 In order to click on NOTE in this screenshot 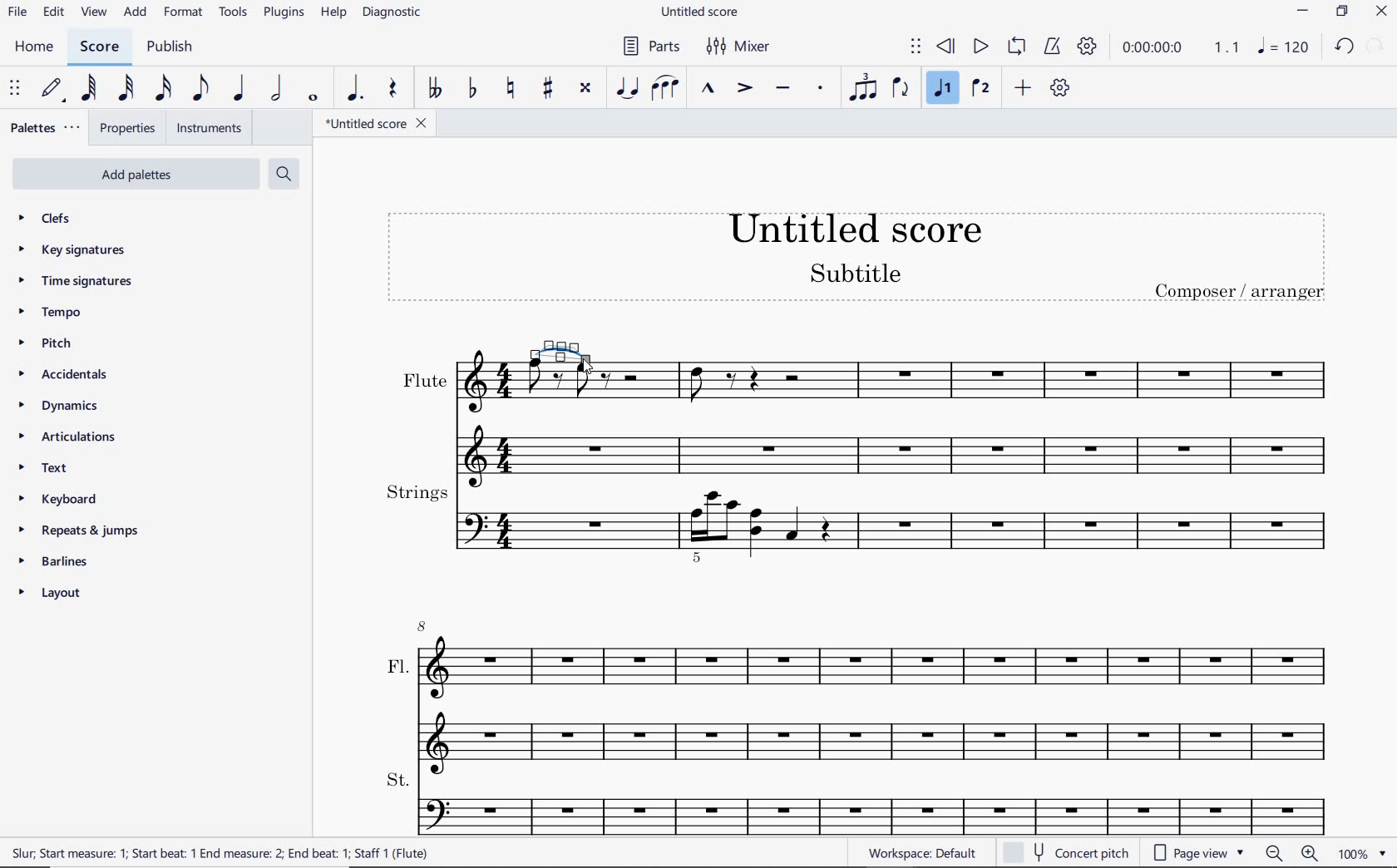, I will do `click(1286, 48)`.